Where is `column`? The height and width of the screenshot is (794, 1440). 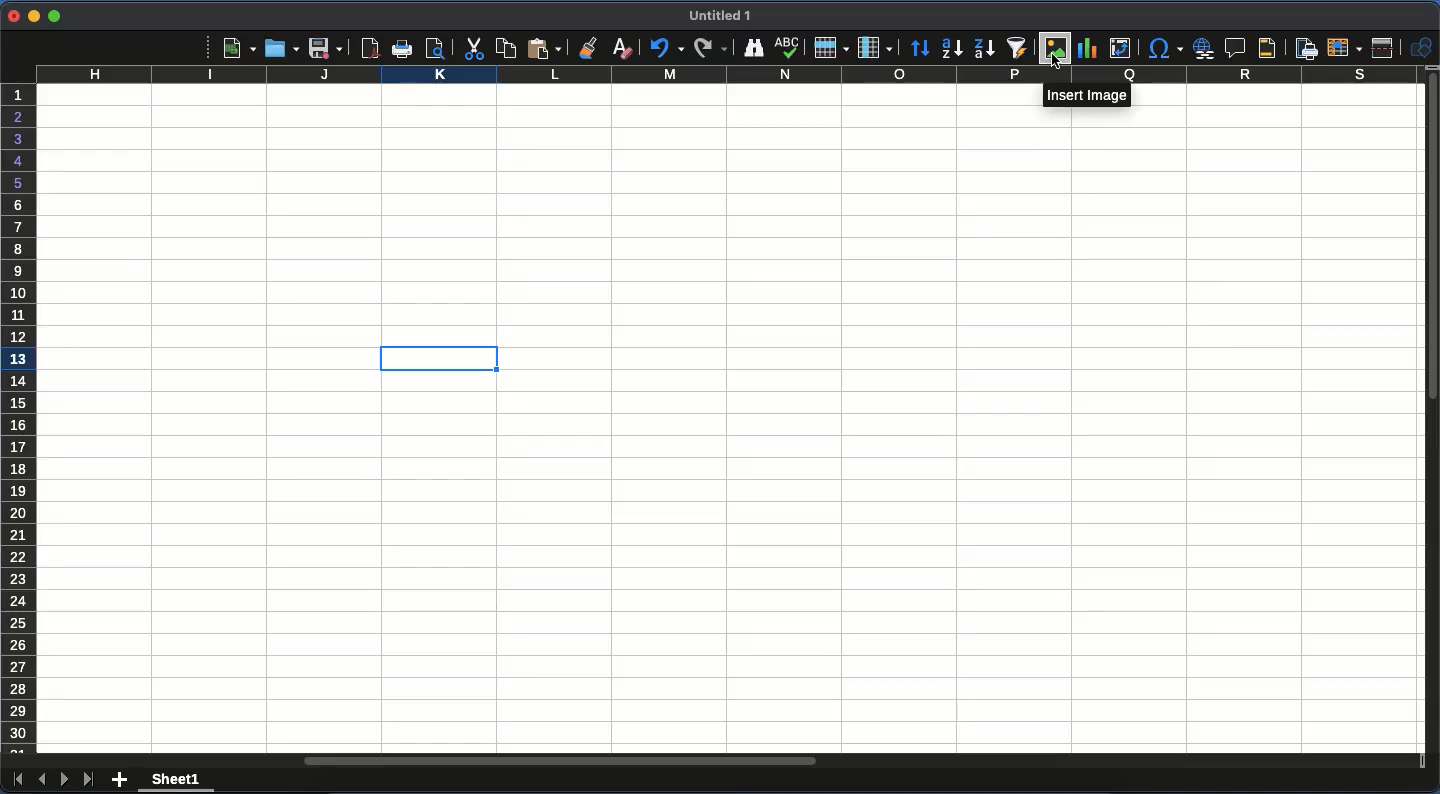 column is located at coordinates (875, 48).